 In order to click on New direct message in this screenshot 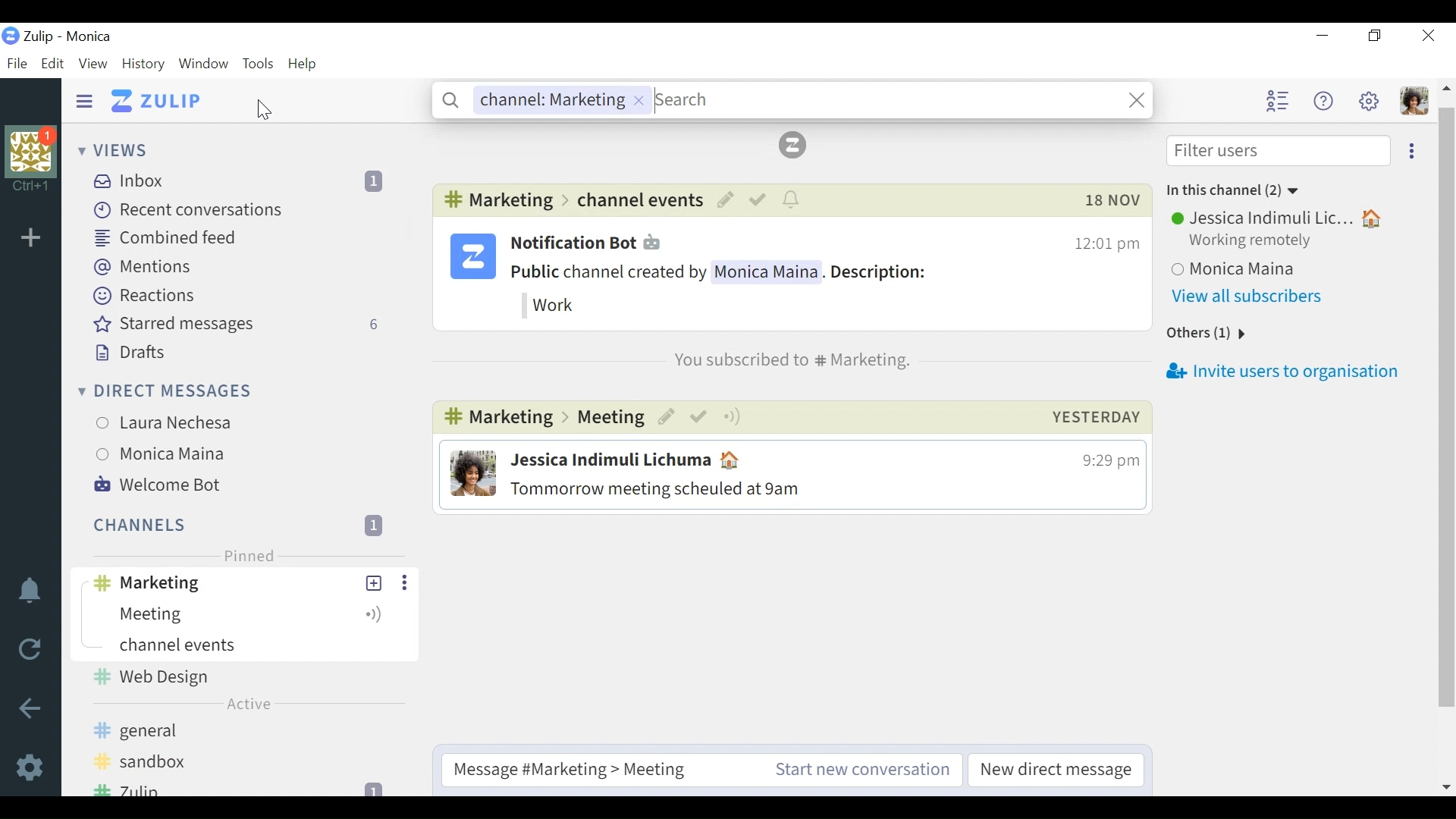, I will do `click(1054, 769)`.